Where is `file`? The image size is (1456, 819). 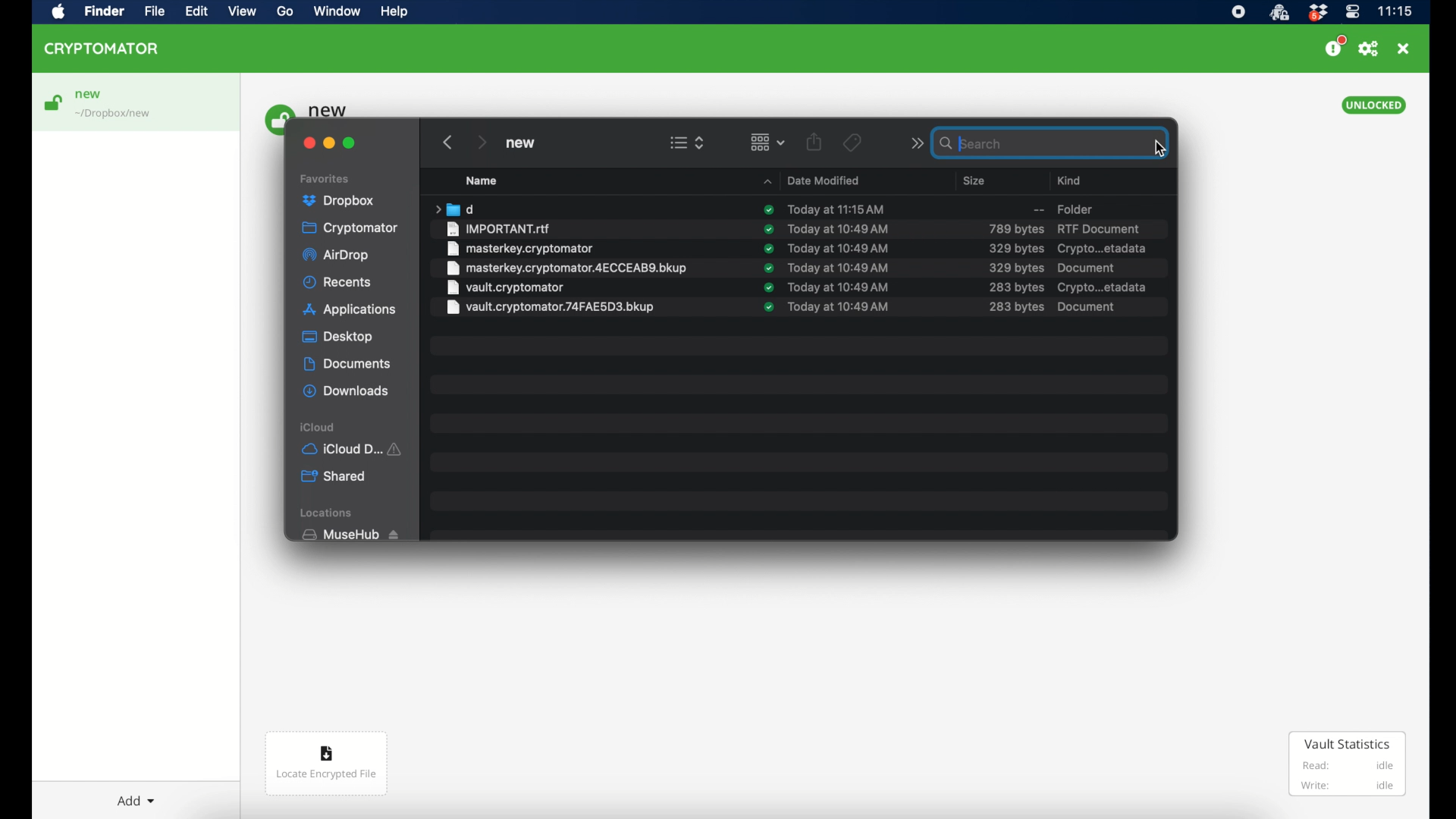
file is located at coordinates (154, 11).